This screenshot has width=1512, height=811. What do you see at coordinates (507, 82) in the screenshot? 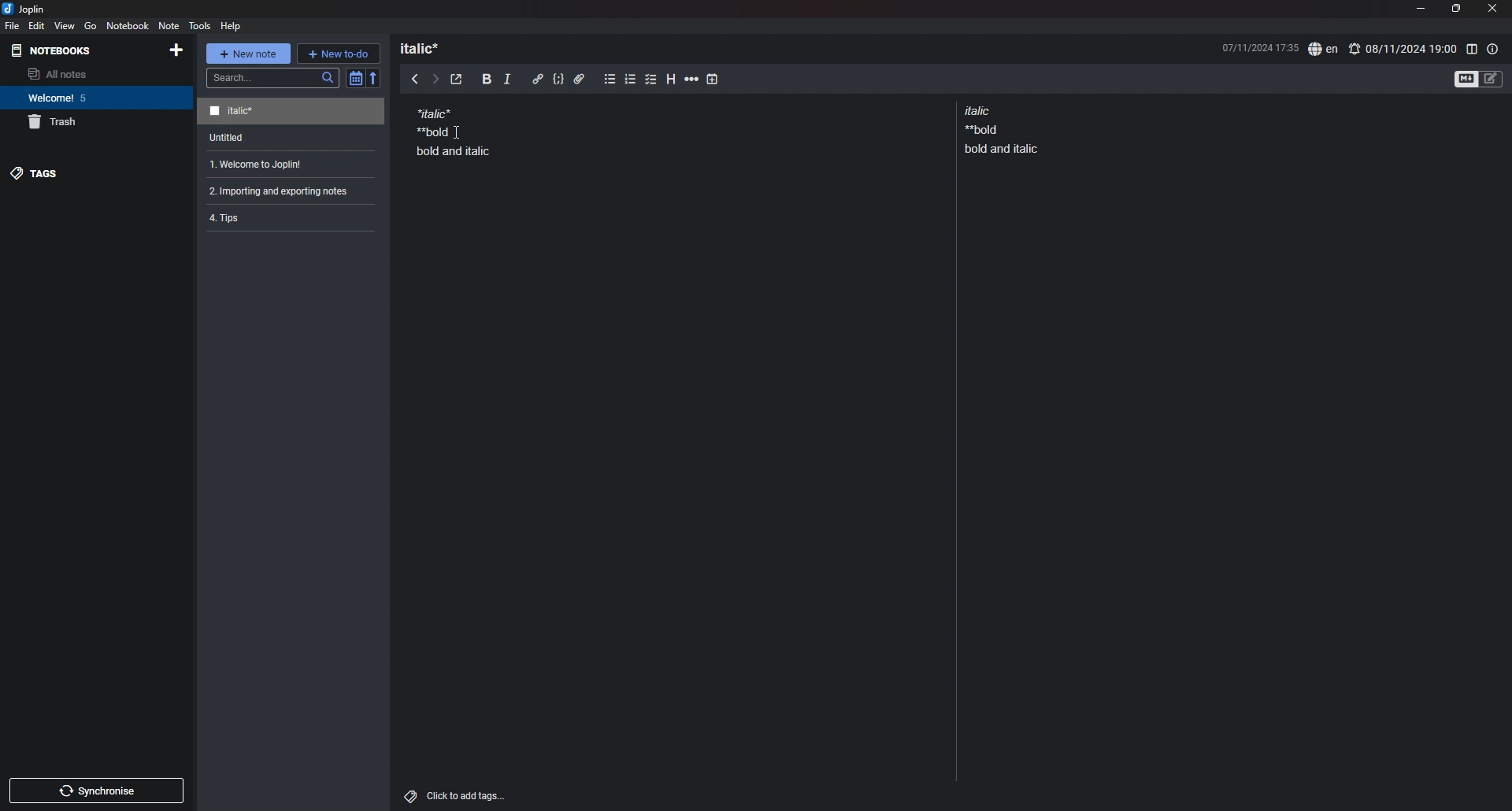
I see `italic` at bounding box center [507, 82].